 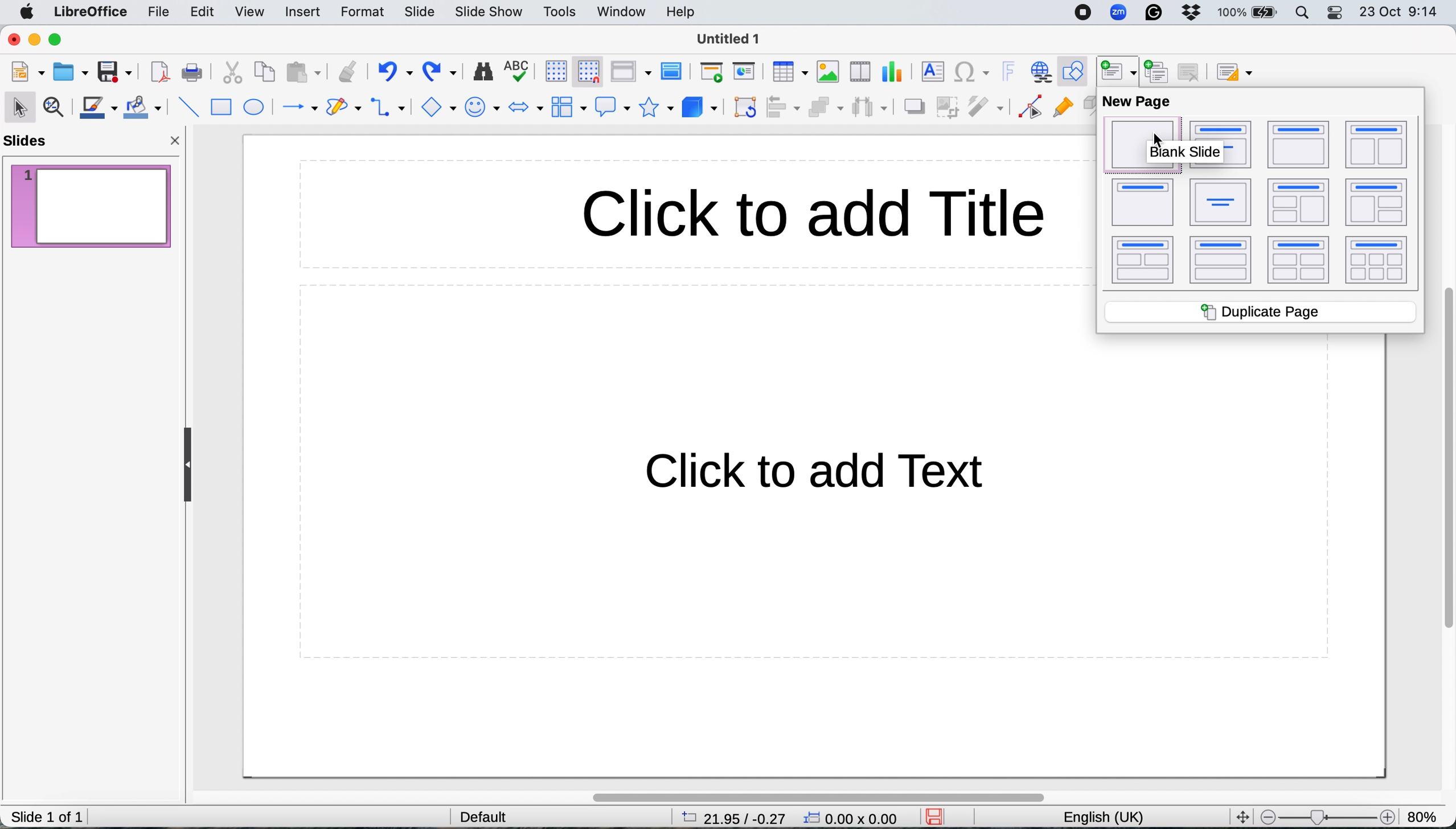 I want to click on connectors, so click(x=392, y=107).